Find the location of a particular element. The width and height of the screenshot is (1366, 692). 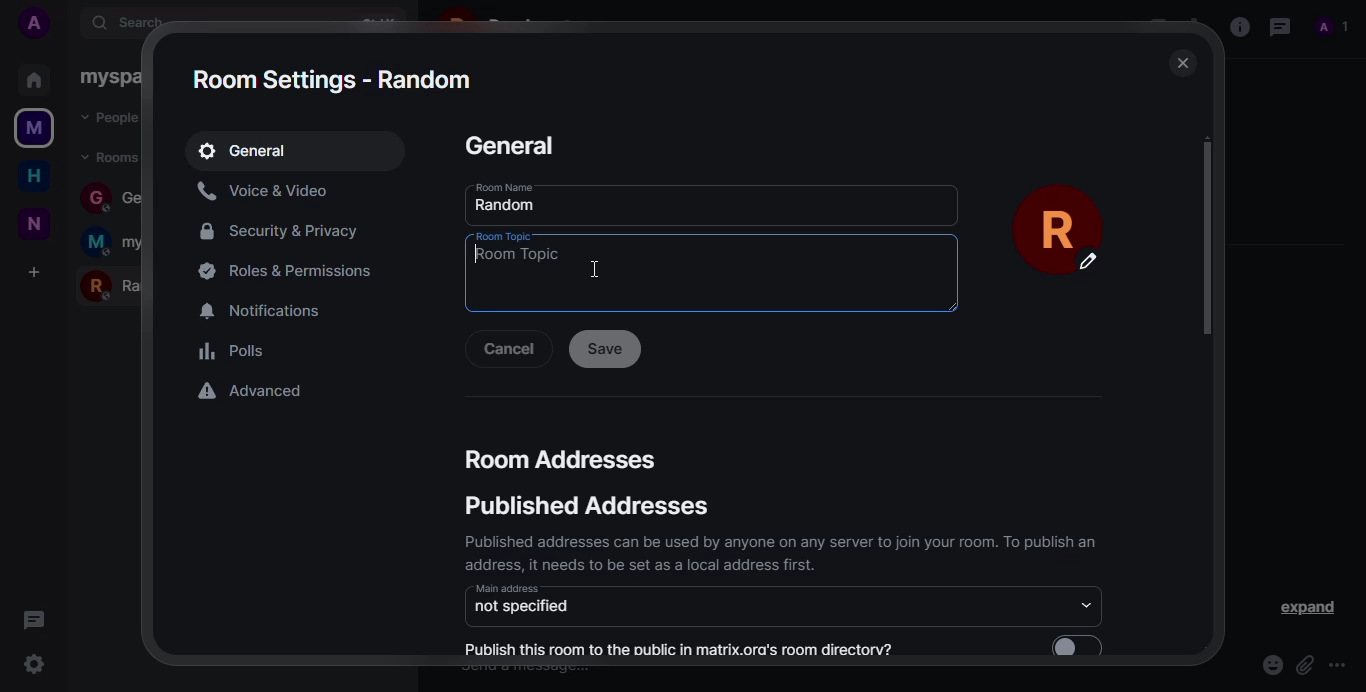

new is located at coordinates (33, 225).